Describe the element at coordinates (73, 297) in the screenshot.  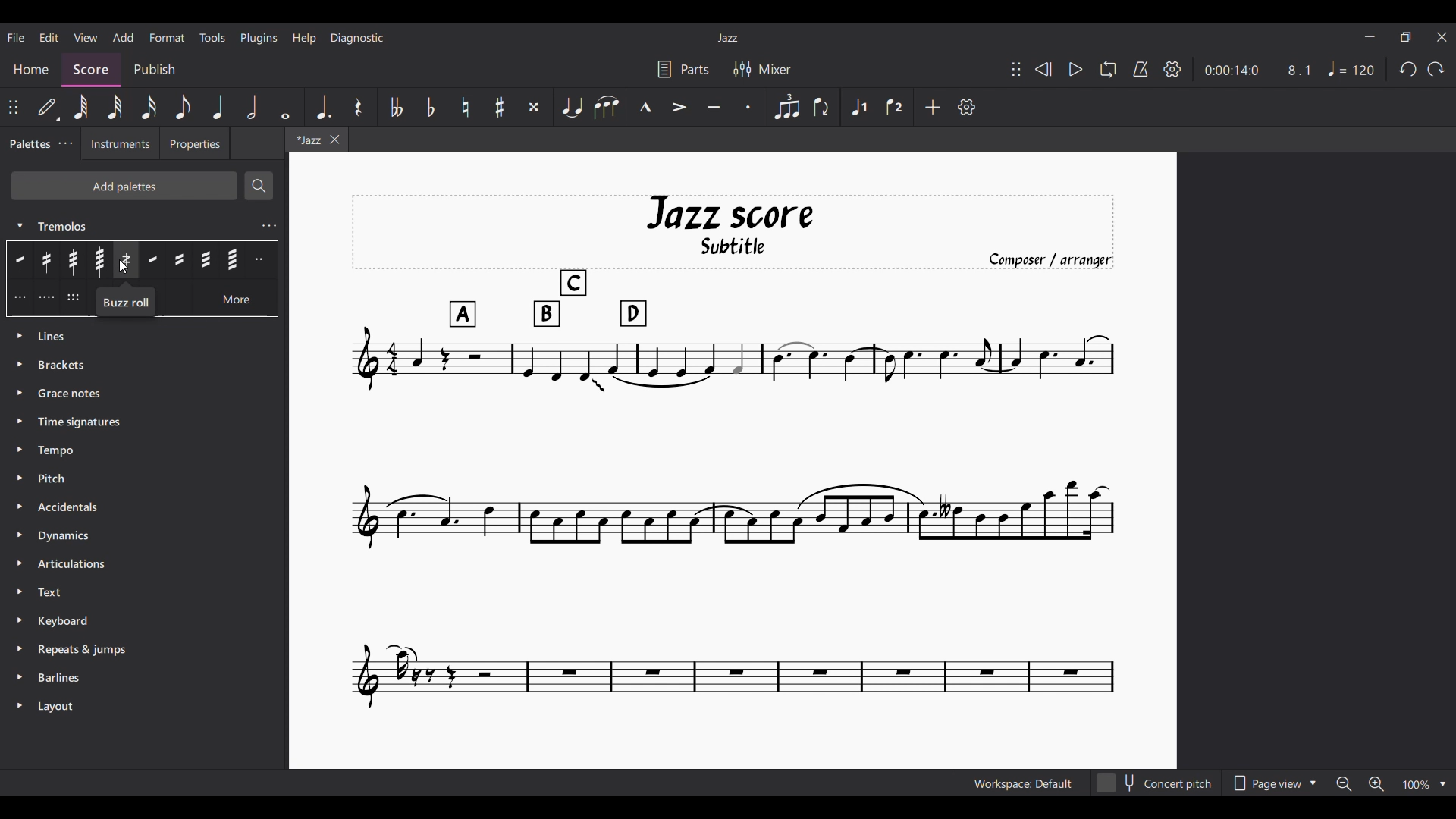
I see `Divide measured Tremolo by 6` at that location.